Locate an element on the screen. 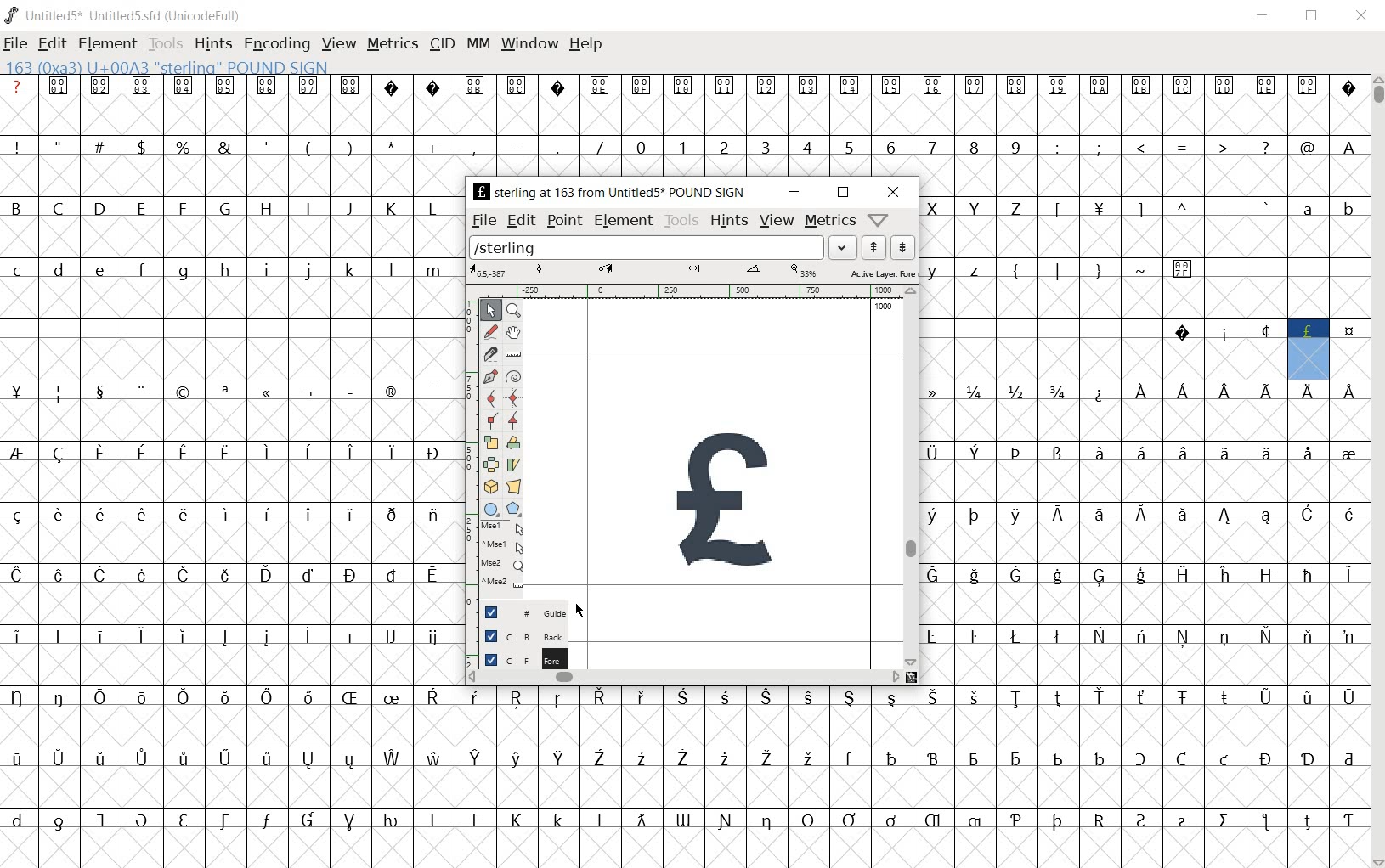  ^ is located at coordinates (1181, 210).